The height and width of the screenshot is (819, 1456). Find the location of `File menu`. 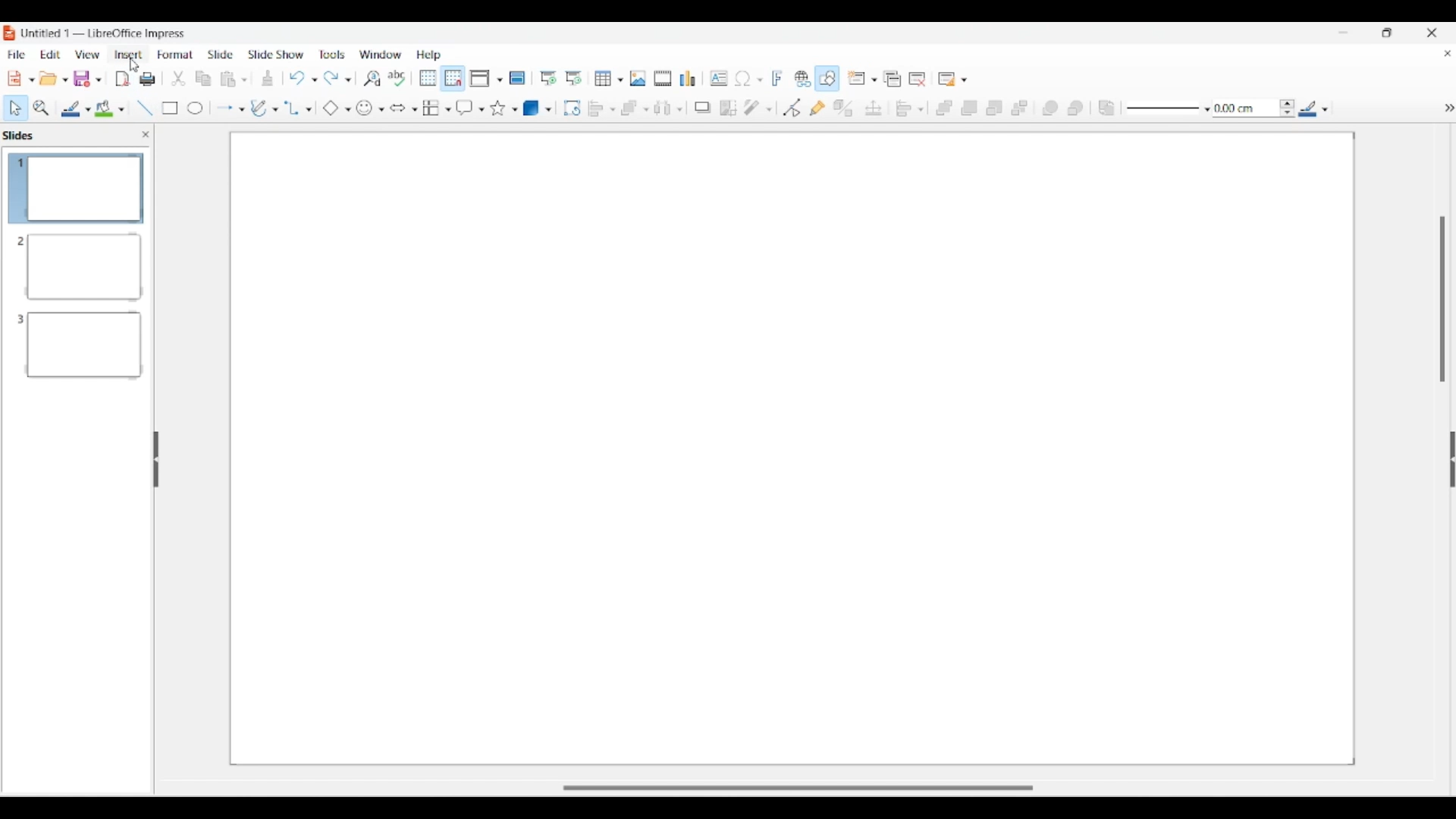

File menu is located at coordinates (16, 55).